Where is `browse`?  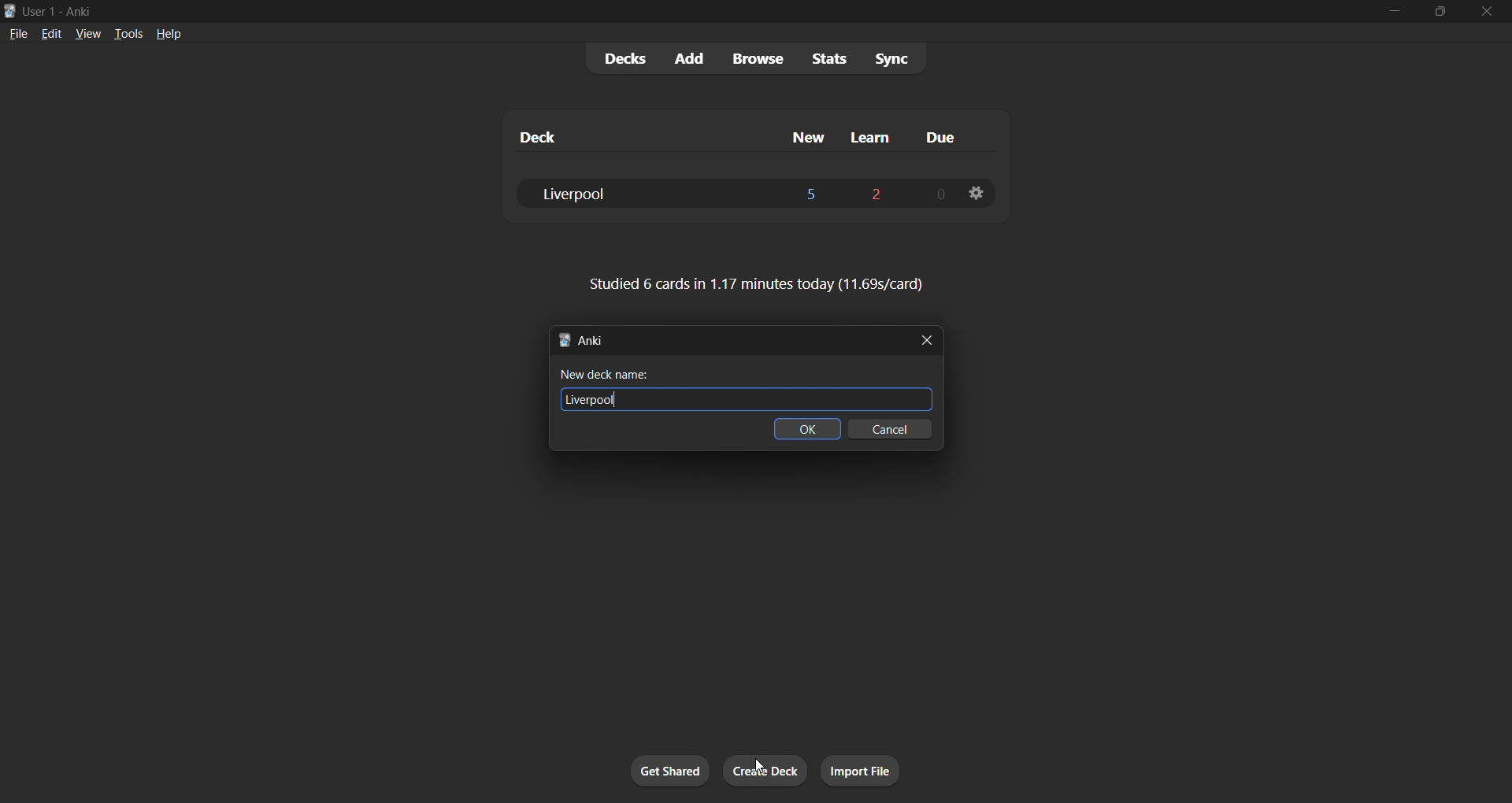
browse is located at coordinates (755, 60).